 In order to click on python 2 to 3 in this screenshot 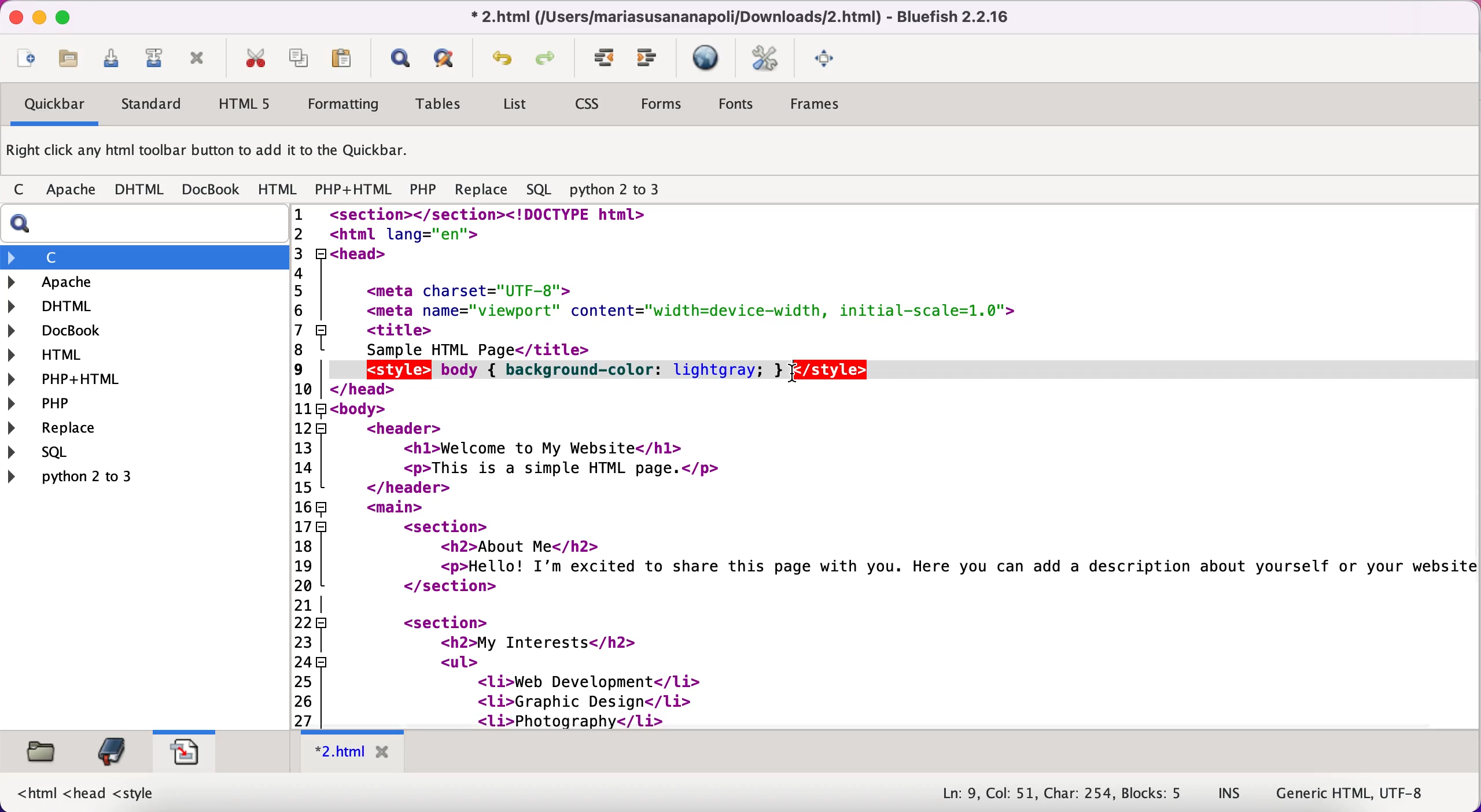, I will do `click(84, 476)`.